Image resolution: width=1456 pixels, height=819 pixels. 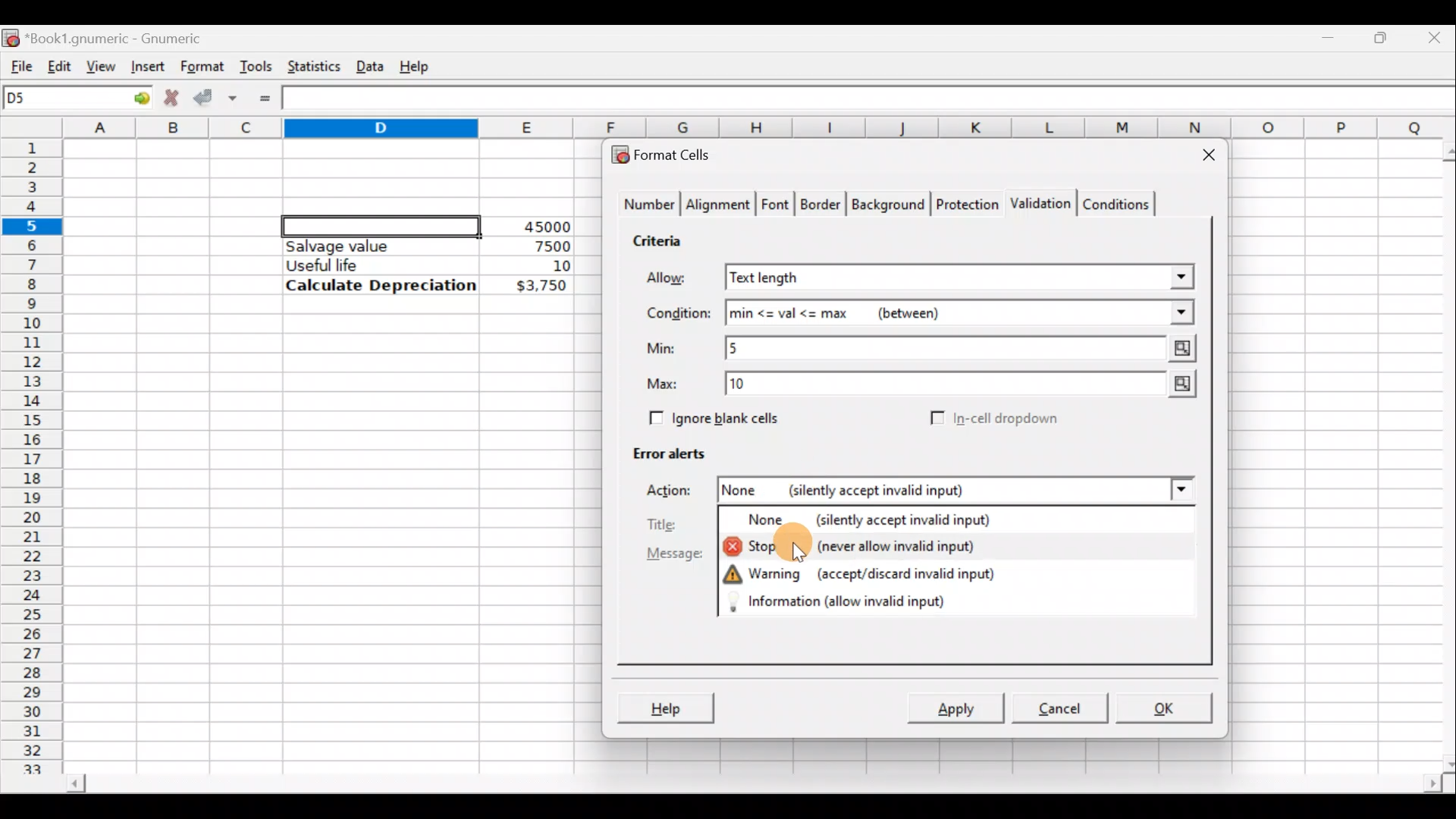 What do you see at coordinates (800, 544) in the screenshot?
I see `Cursor on stop action` at bounding box center [800, 544].